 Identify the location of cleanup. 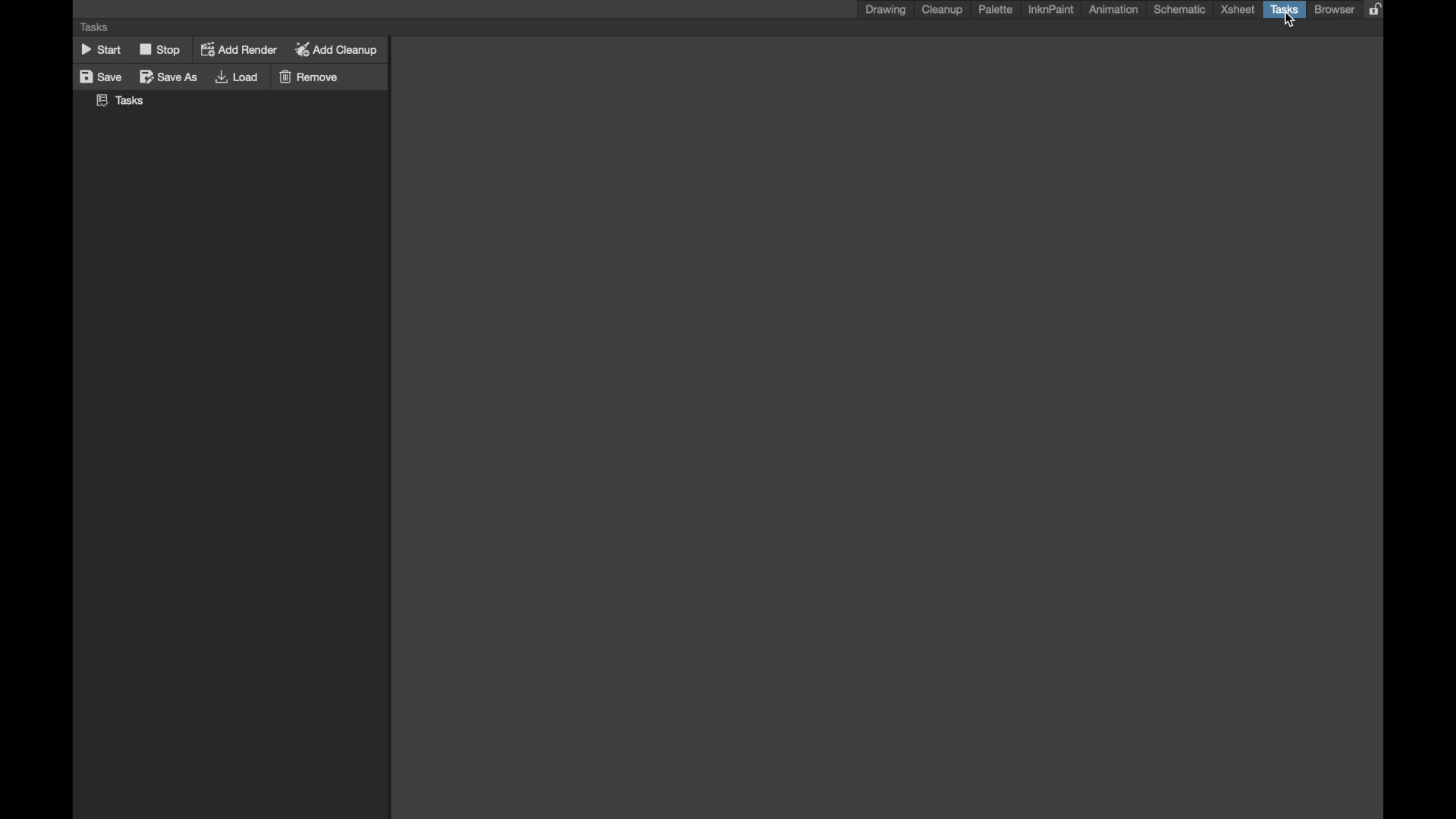
(945, 10).